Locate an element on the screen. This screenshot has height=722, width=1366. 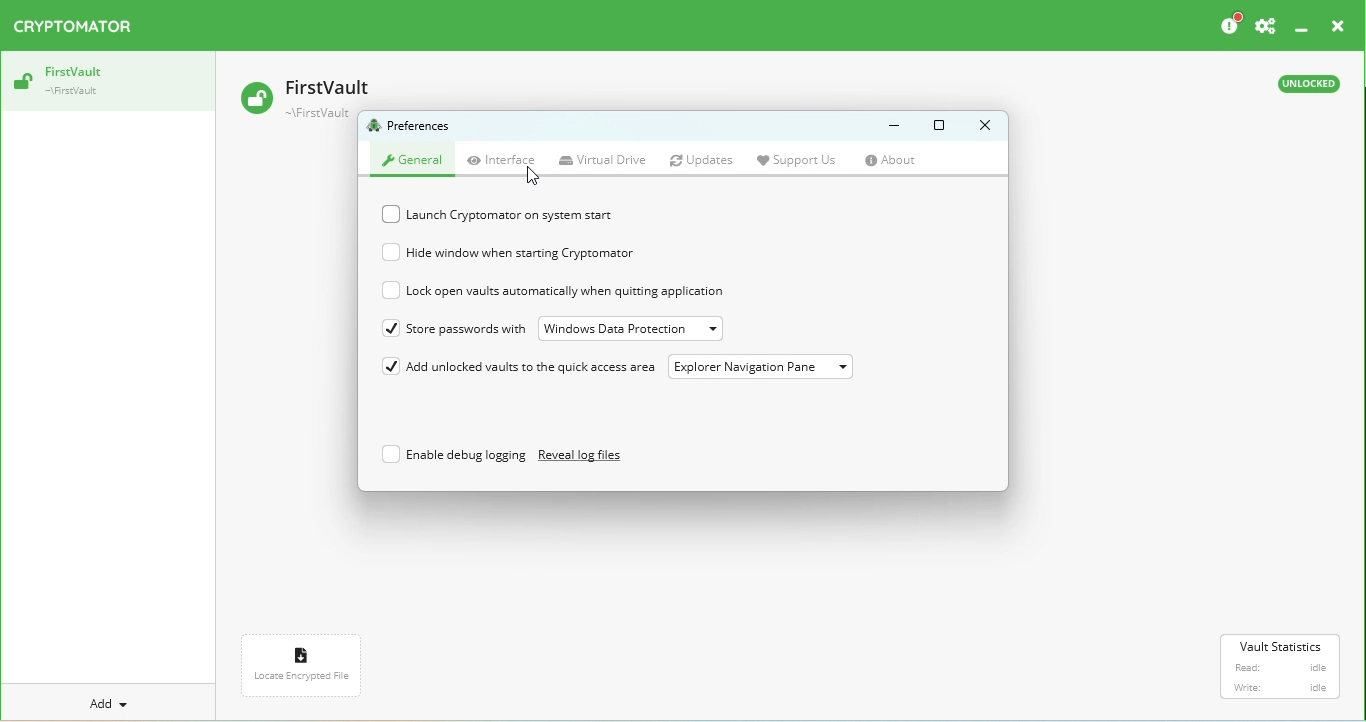
Cursor is located at coordinates (534, 180).